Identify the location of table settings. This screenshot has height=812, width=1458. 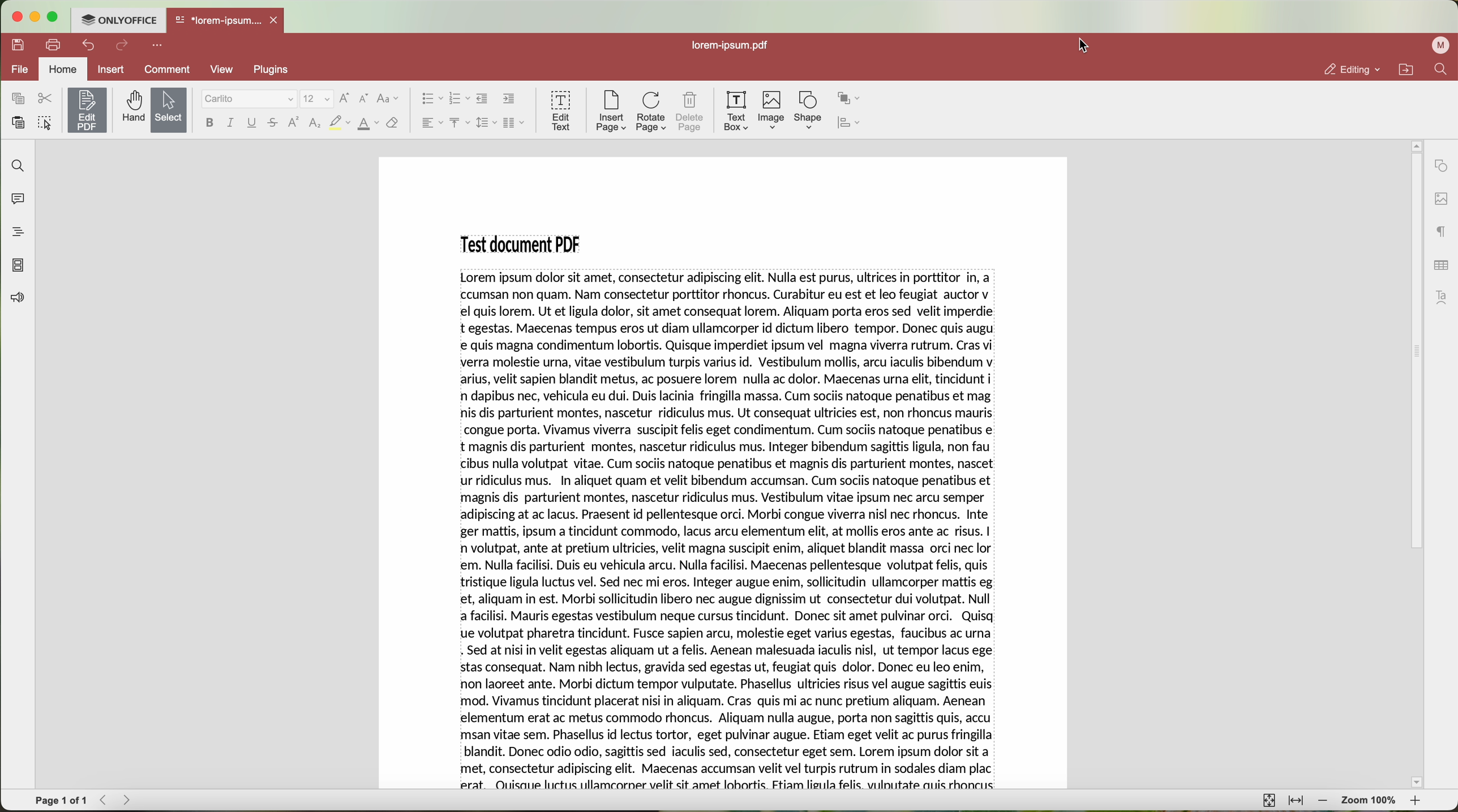
(1440, 265).